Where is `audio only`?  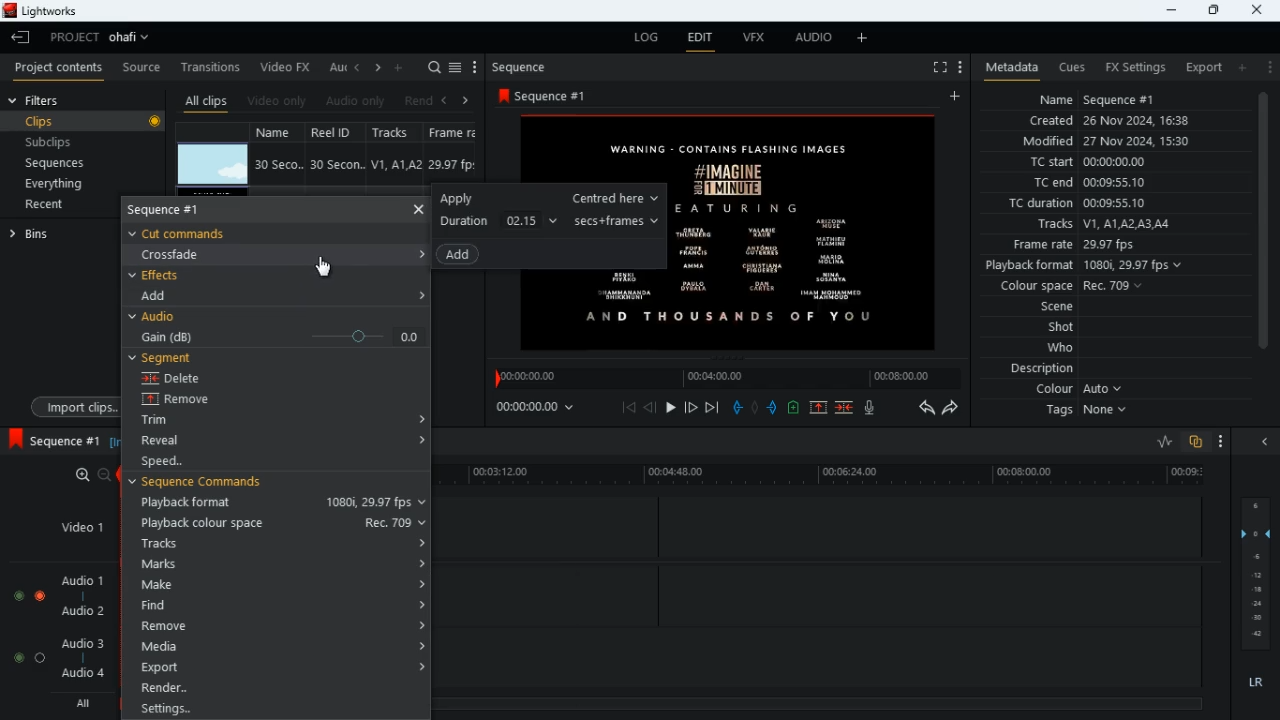
audio only is located at coordinates (357, 101).